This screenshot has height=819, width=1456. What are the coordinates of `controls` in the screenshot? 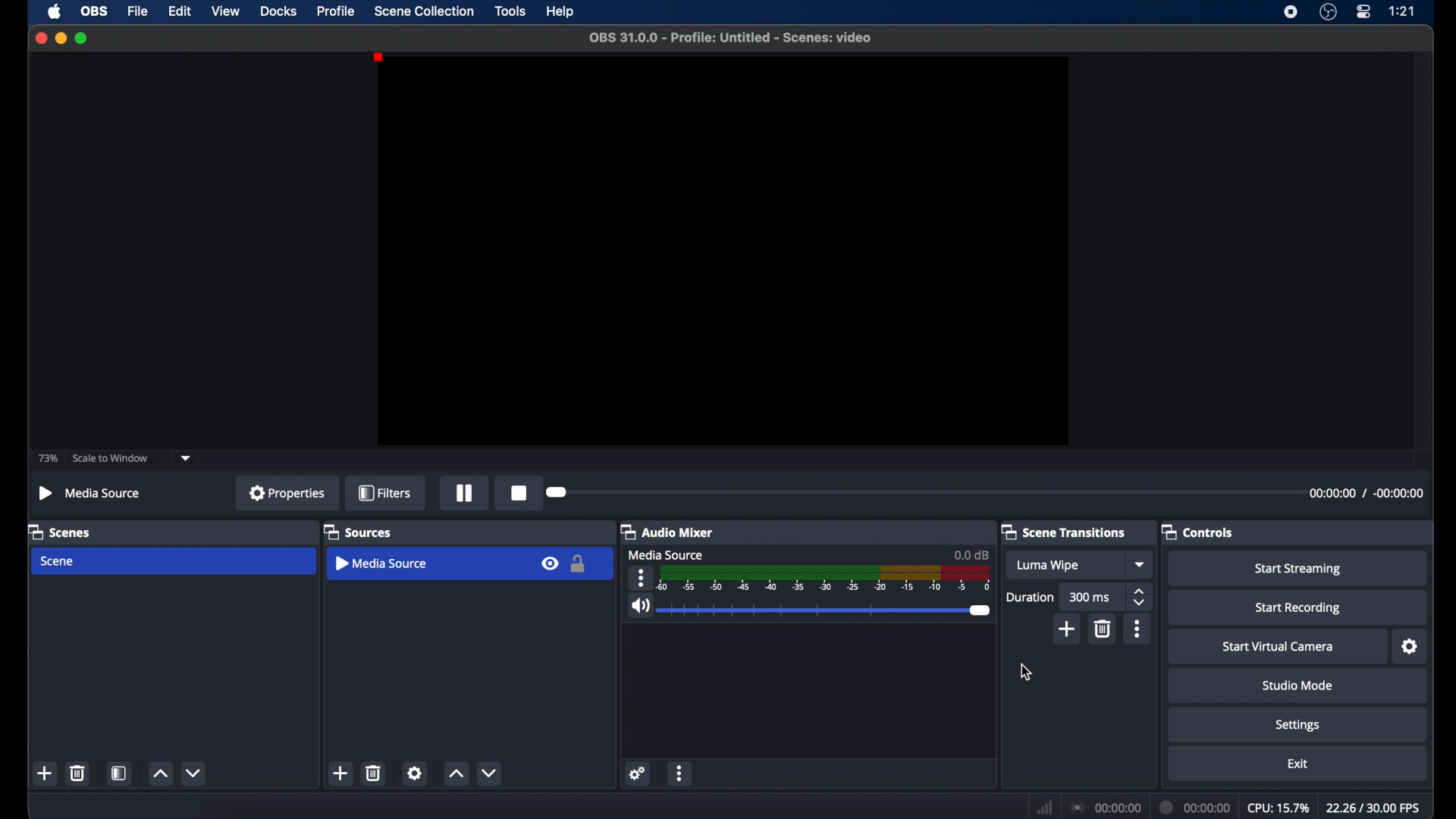 It's located at (1200, 532).